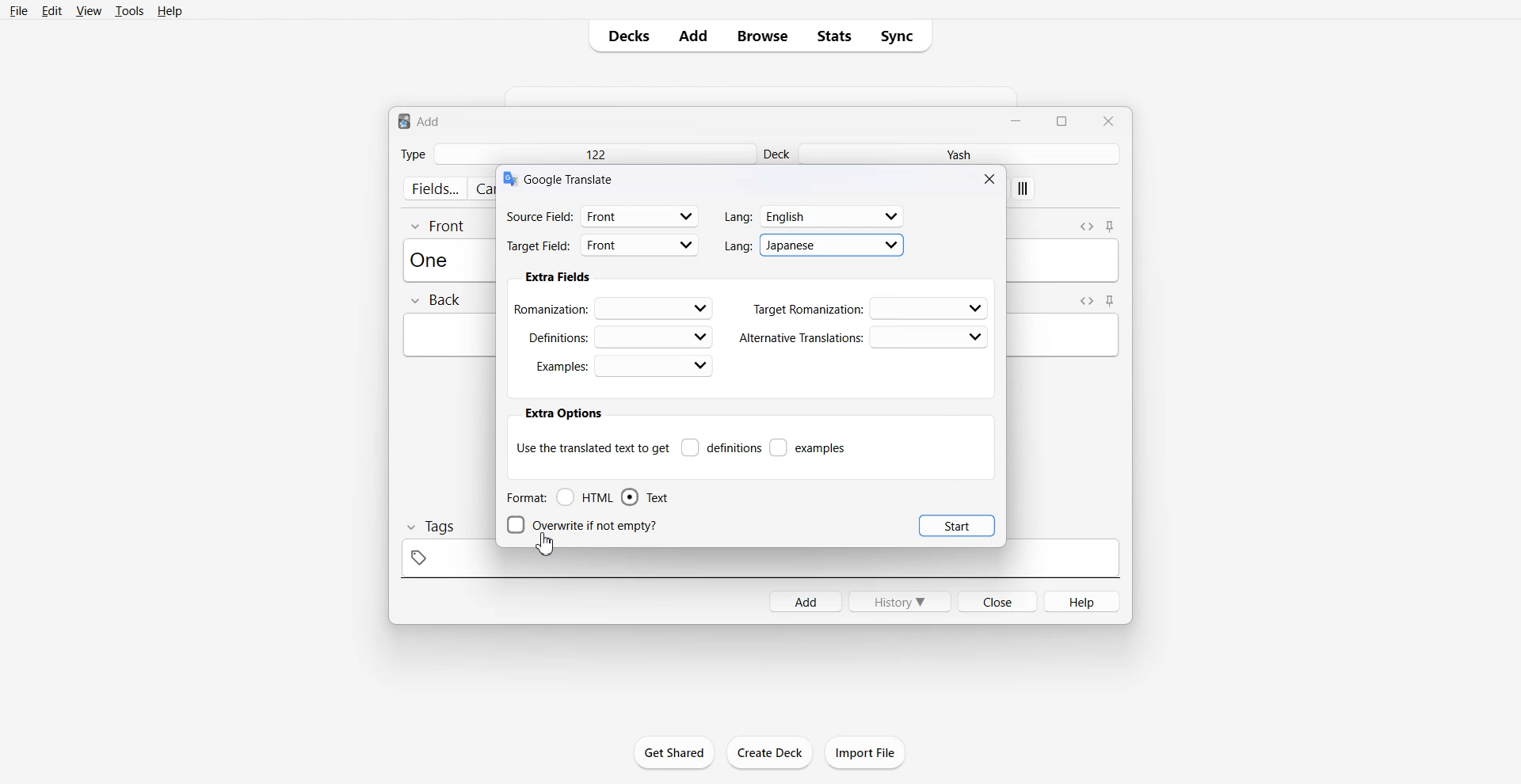  What do you see at coordinates (562, 413) in the screenshot?
I see `extra options` at bounding box center [562, 413].